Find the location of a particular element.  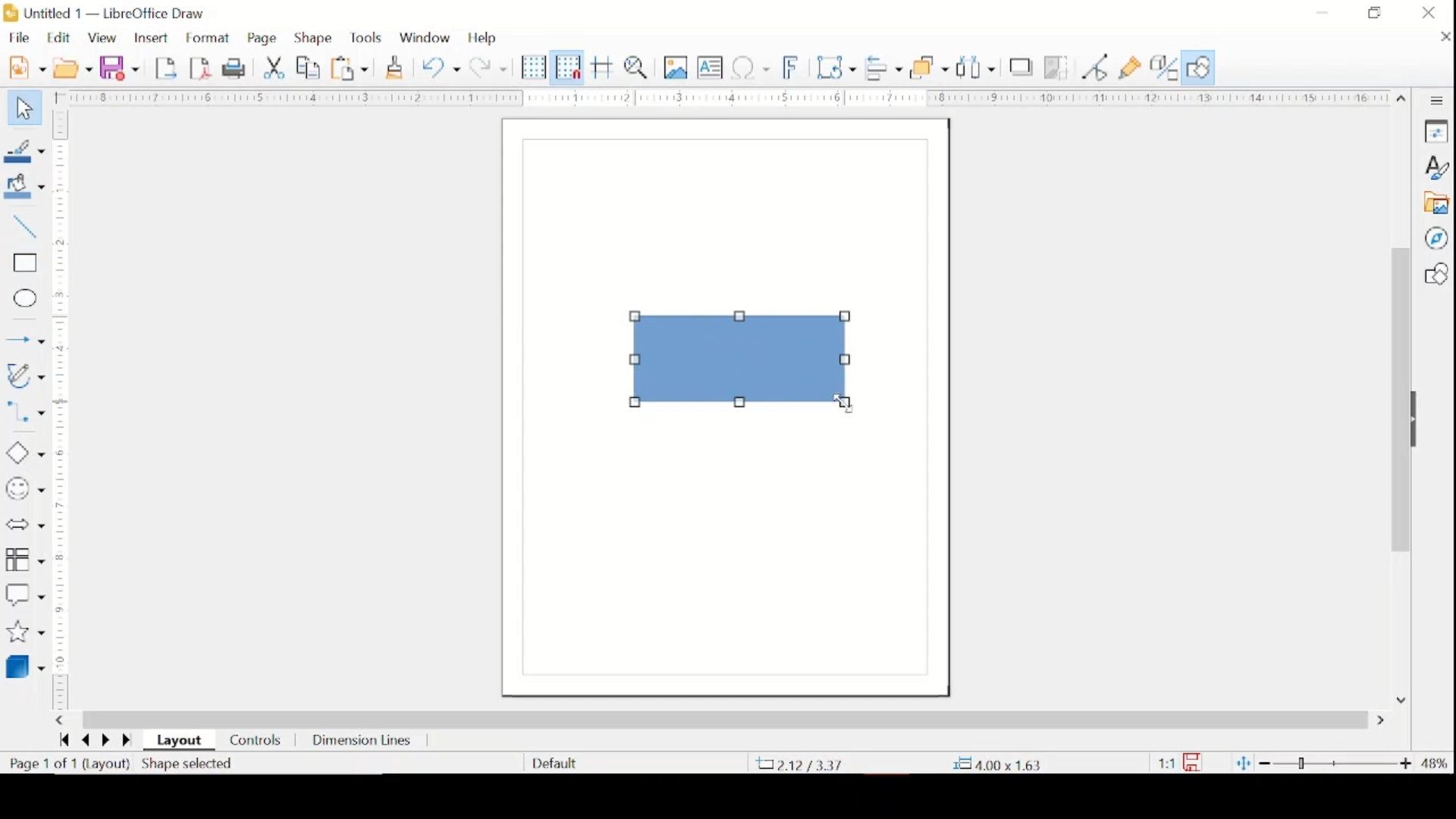

insert line is located at coordinates (23, 227).